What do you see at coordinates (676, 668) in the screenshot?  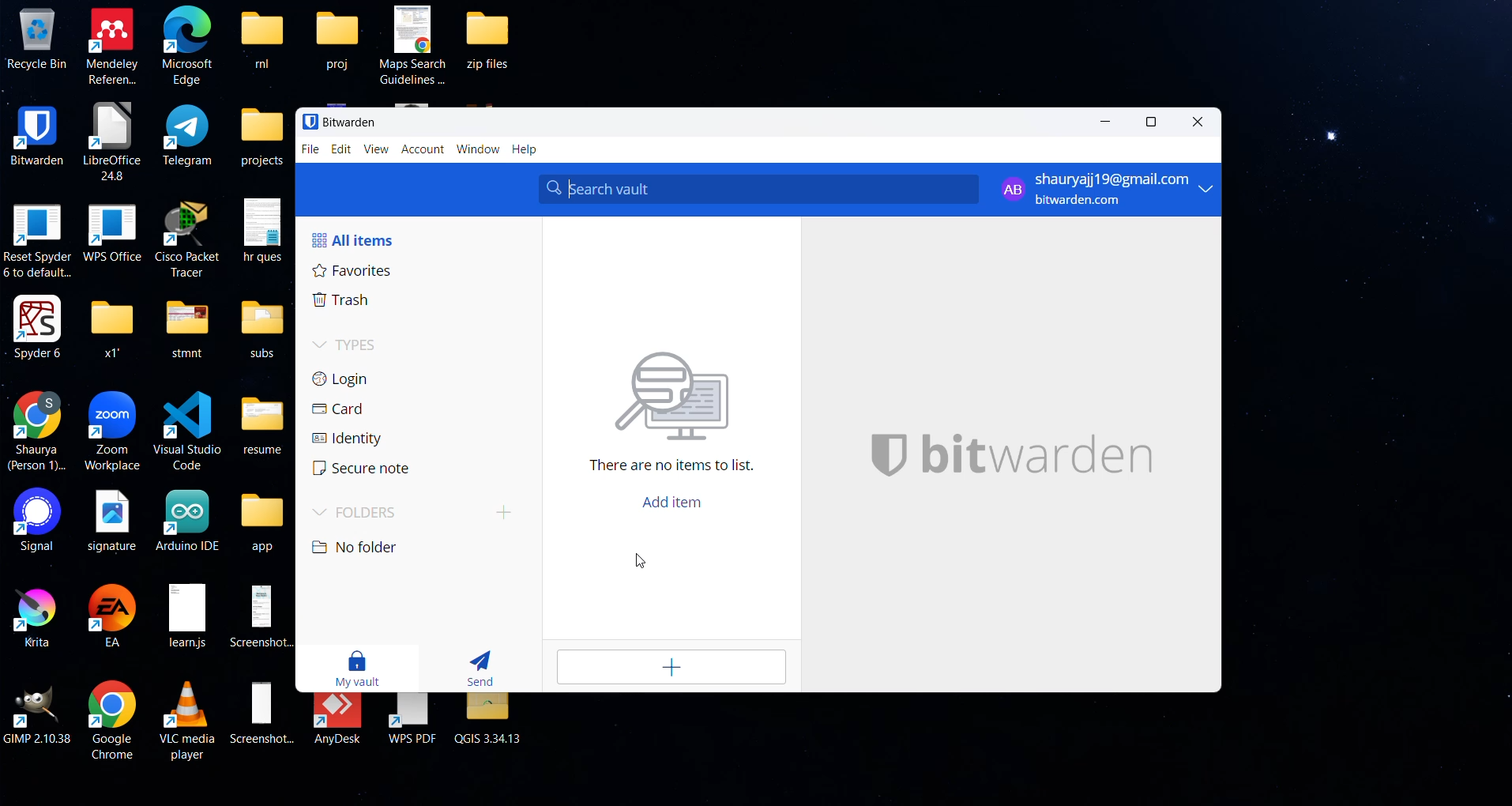 I see `add ` at bounding box center [676, 668].